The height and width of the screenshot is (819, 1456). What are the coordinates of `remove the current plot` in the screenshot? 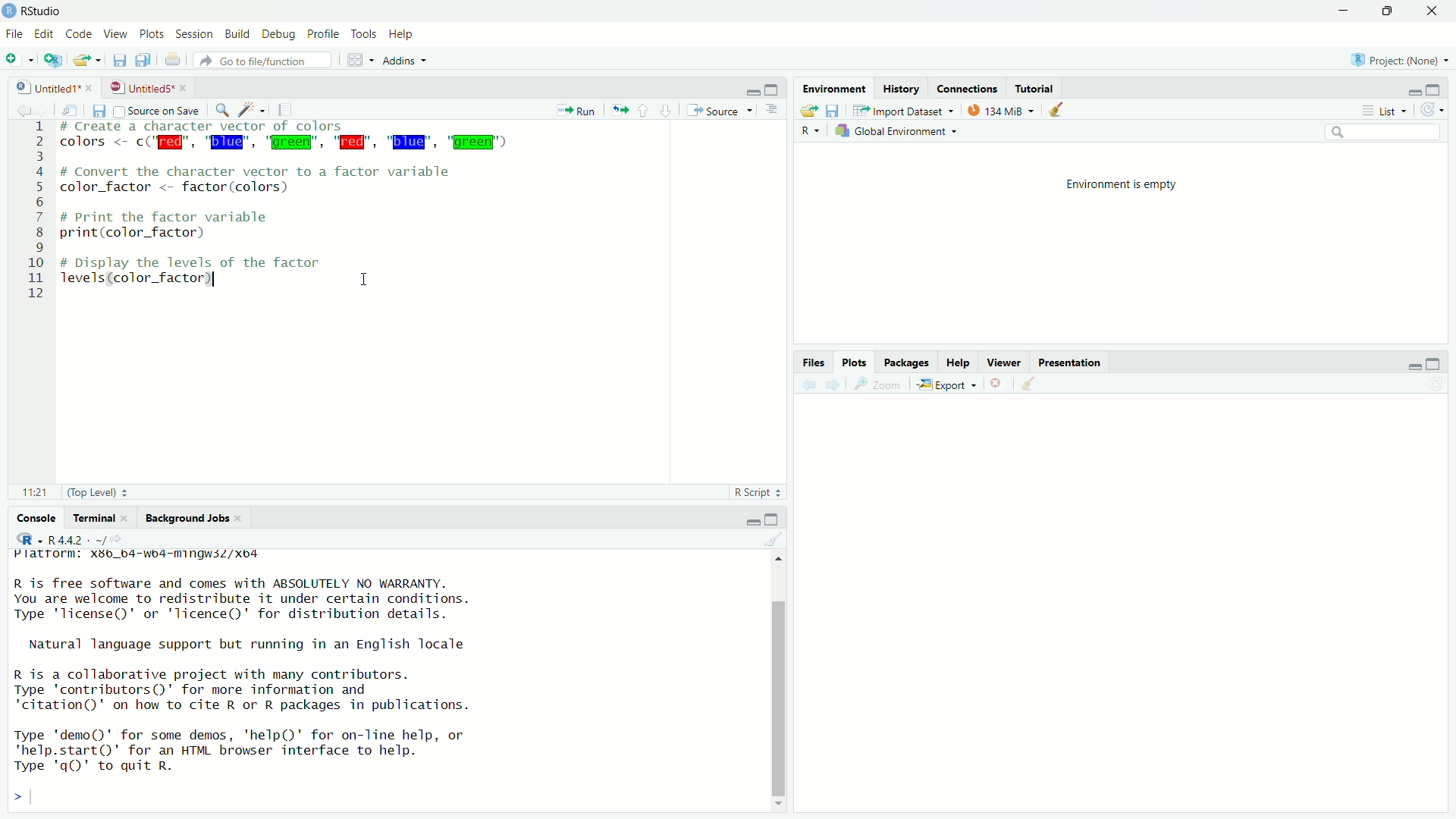 It's located at (995, 382).